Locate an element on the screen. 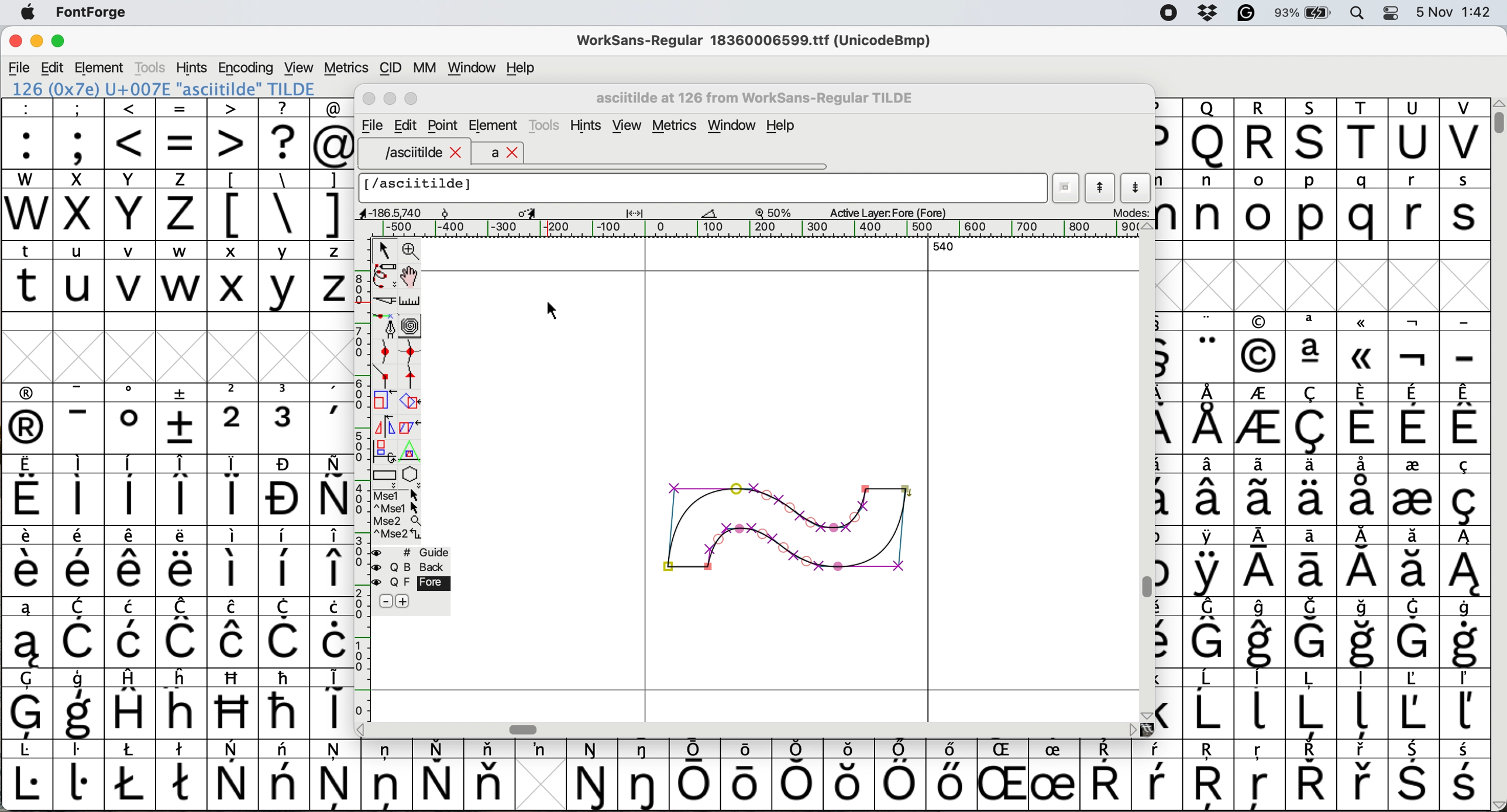  t is located at coordinates (27, 275).